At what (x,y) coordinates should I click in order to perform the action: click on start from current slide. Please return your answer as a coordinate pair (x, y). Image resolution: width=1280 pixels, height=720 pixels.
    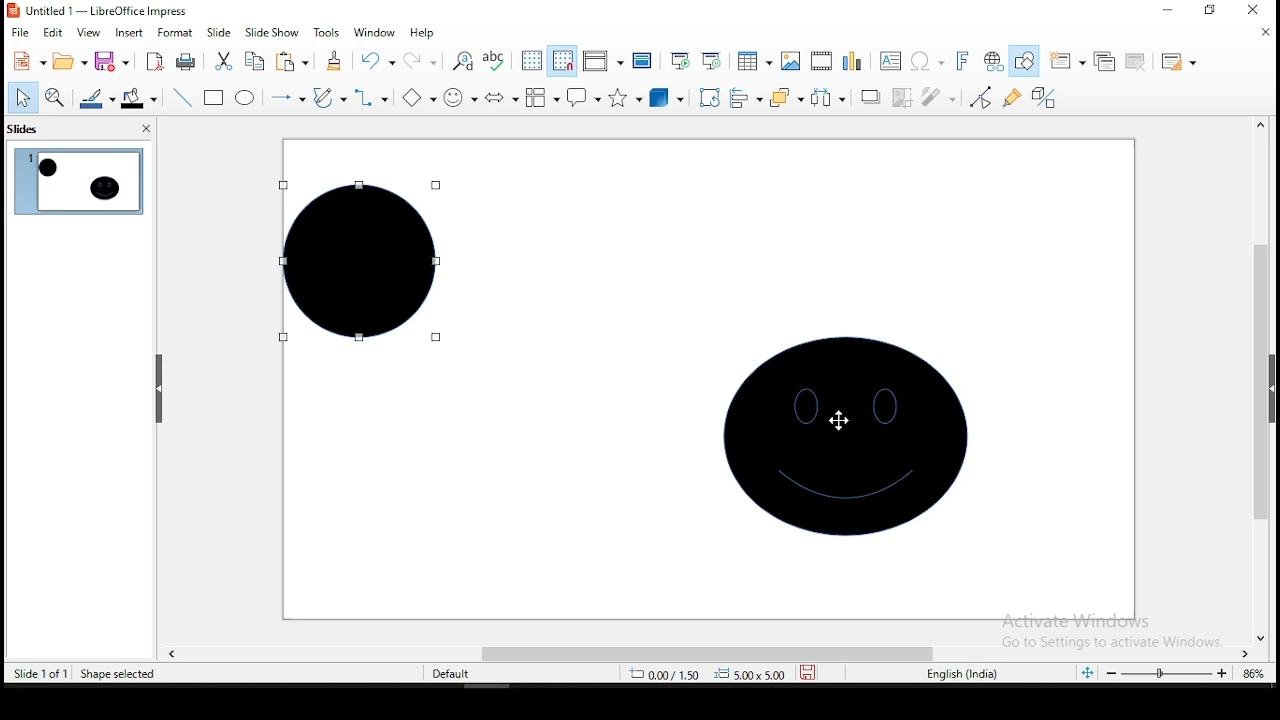
    Looking at the image, I should click on (716, 63).